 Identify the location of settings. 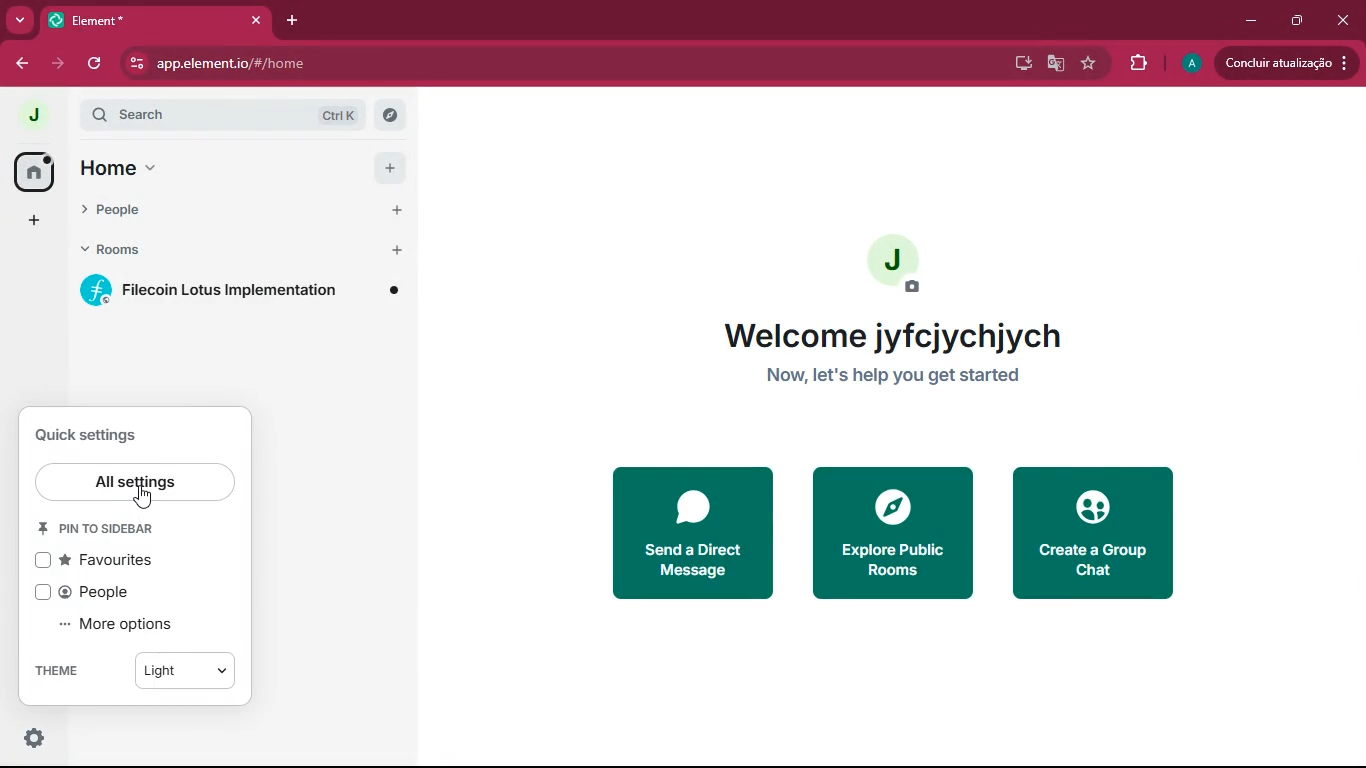
(30, 739).